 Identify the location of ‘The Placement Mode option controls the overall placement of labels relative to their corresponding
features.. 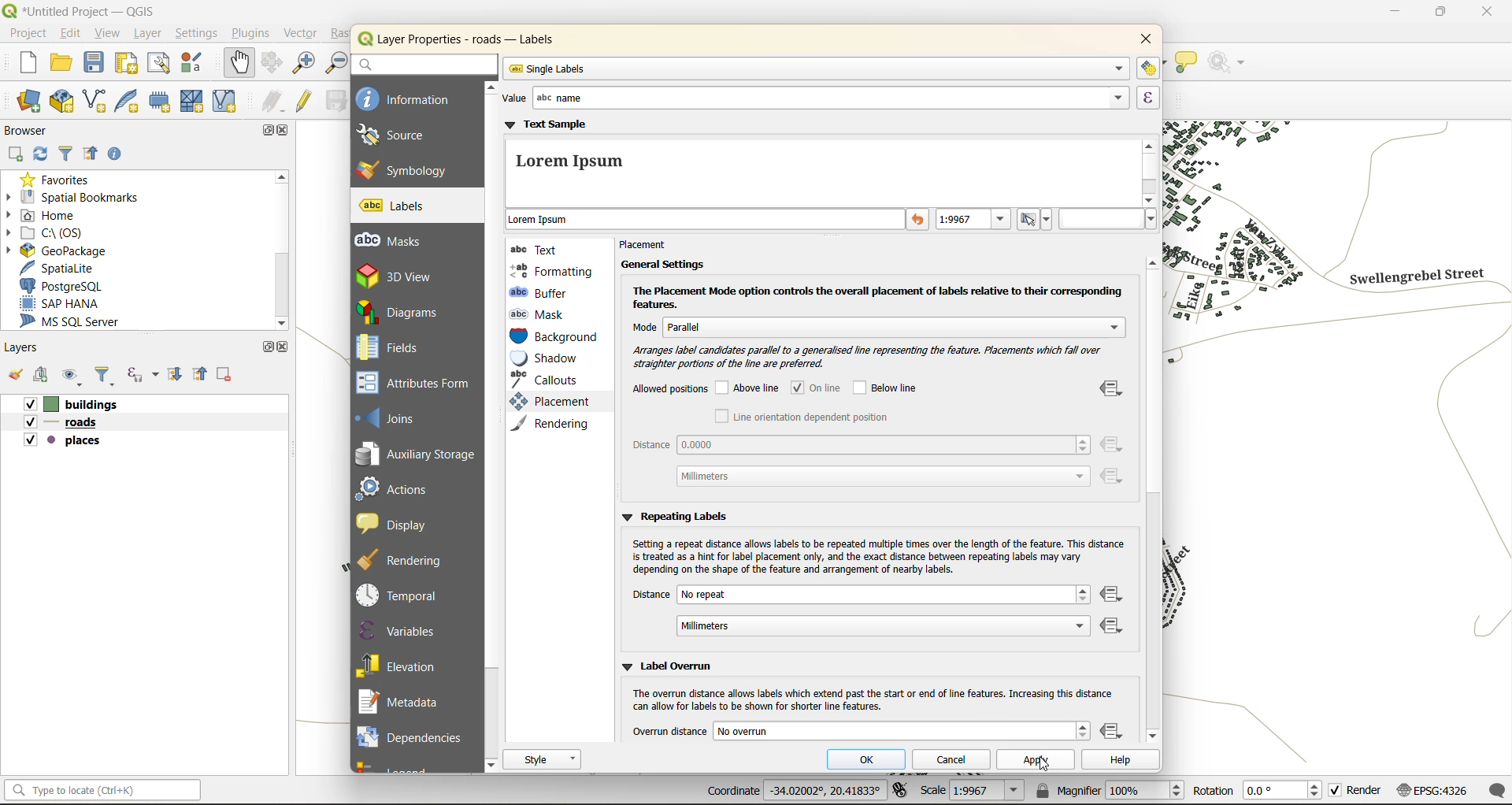
(881, 296).